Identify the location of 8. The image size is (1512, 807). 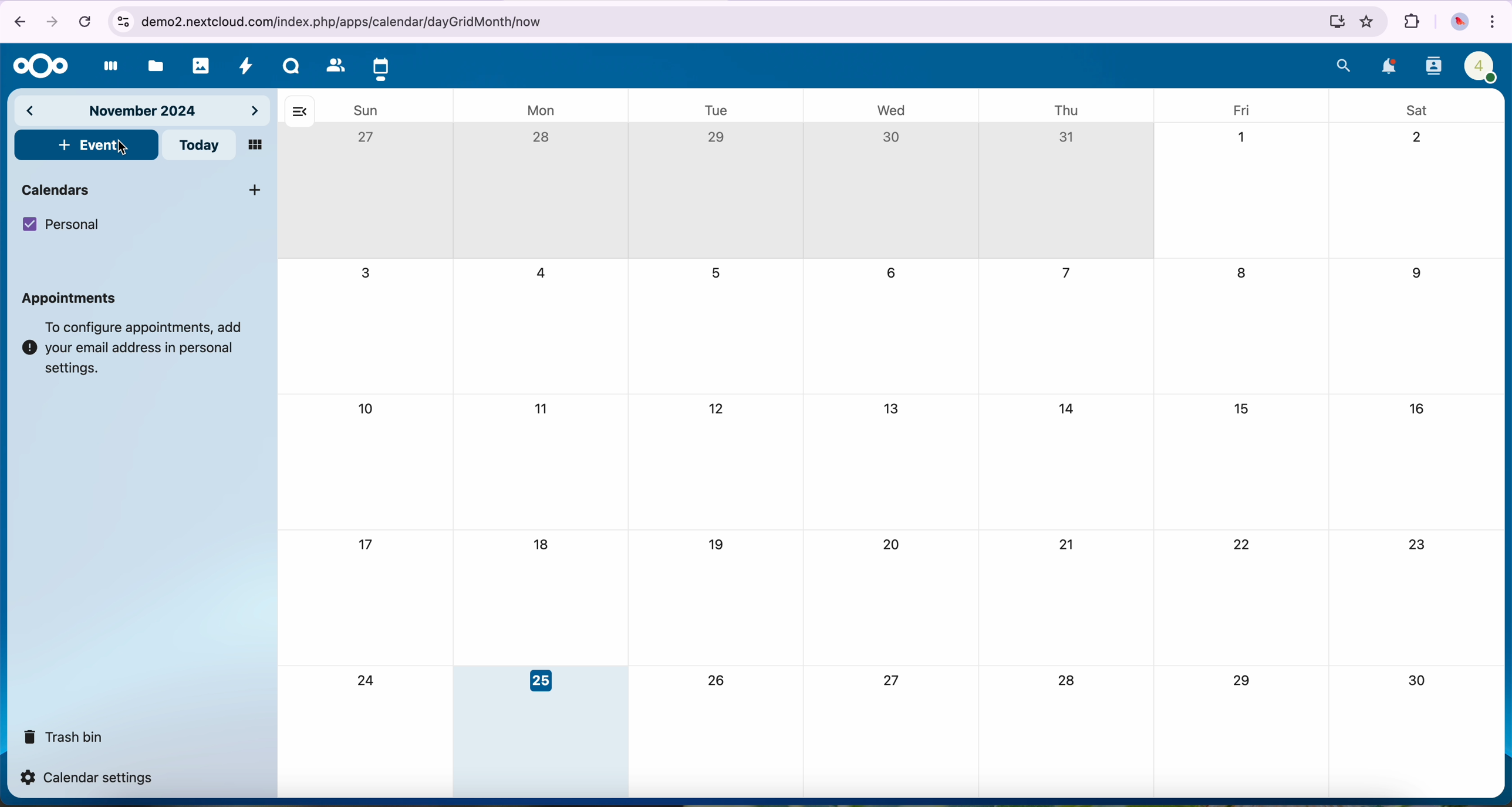
(1244, 276).